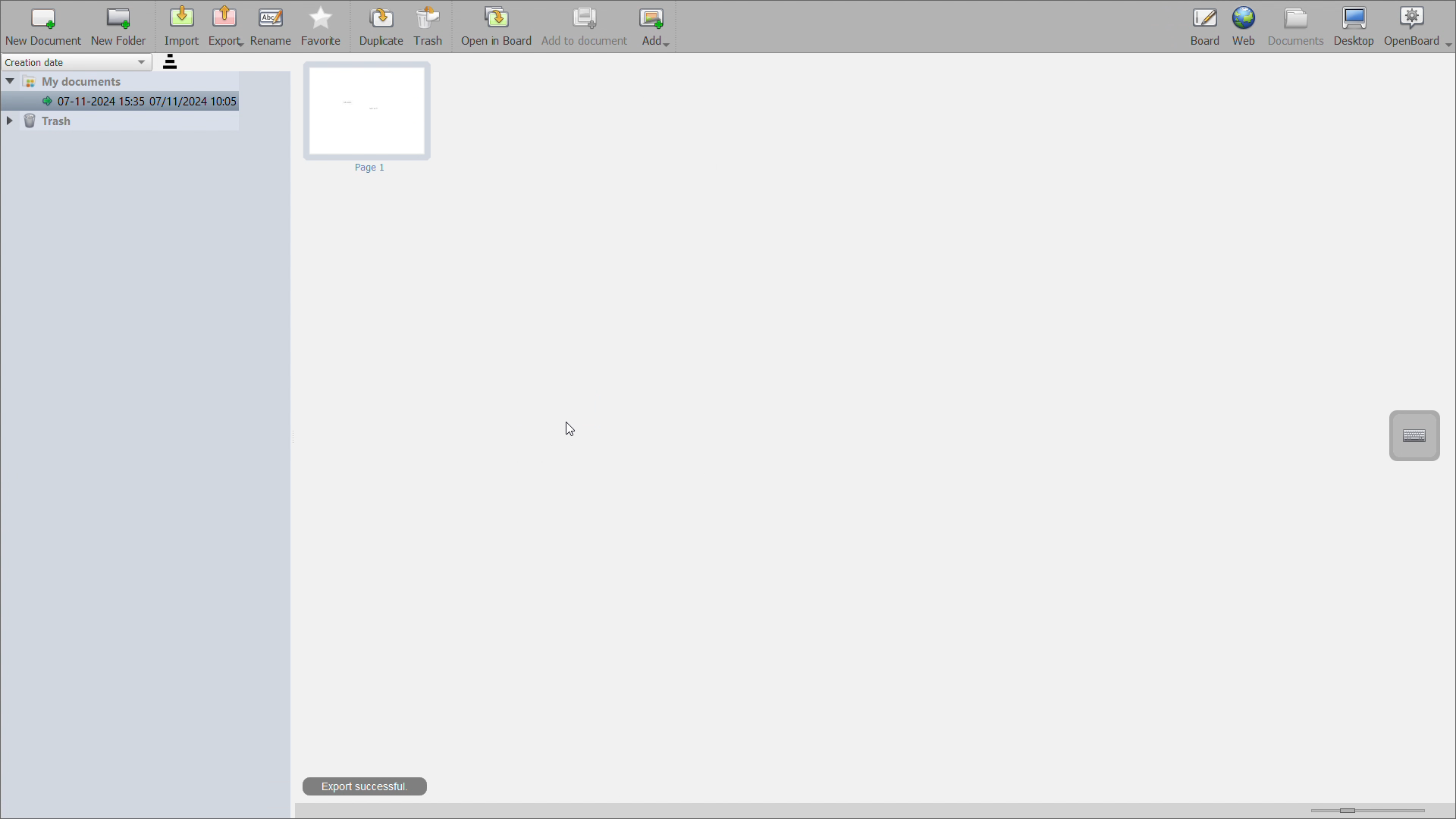 The width and height of the screenshot is (1456, 819). Describe the element at coordinates (271, 27) in the screenshot. I see `rename` at that location.